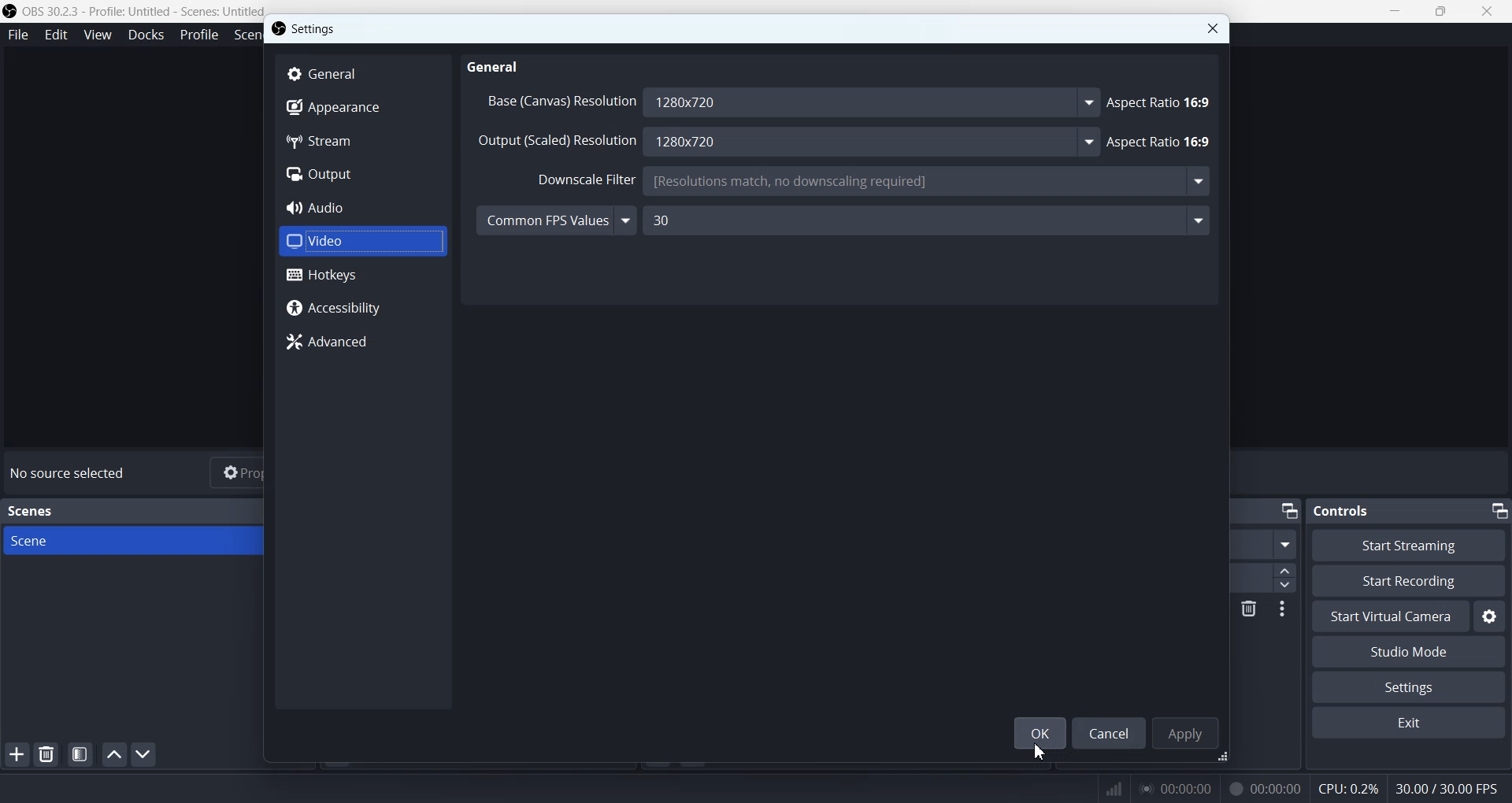 Image resolution: width=1512 pixels, height=803 pixels. Describe the element at coordinates (364, 72) in the screenshot. I see `General` at that location.